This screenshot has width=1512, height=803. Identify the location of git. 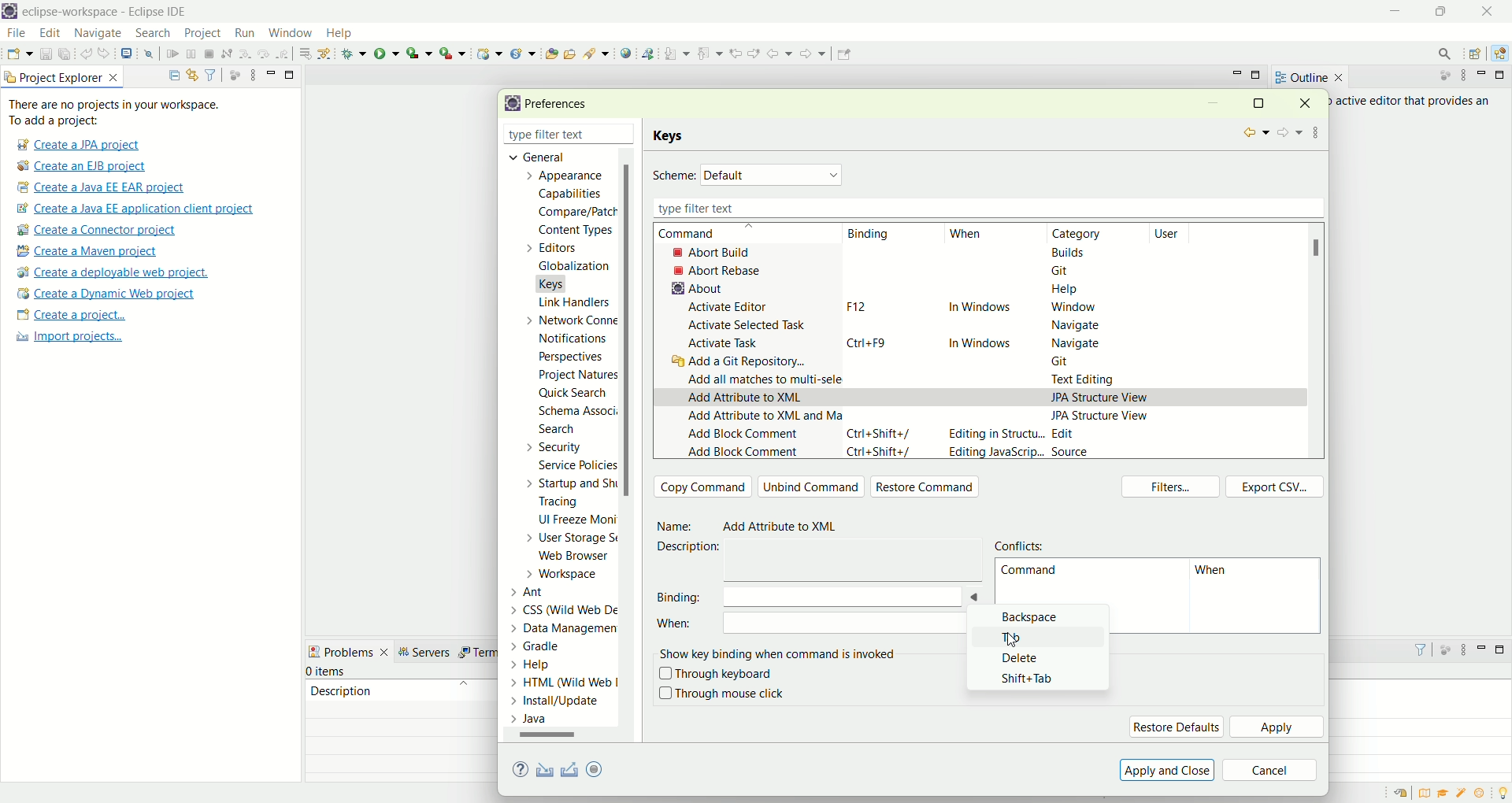
(1065, 270).